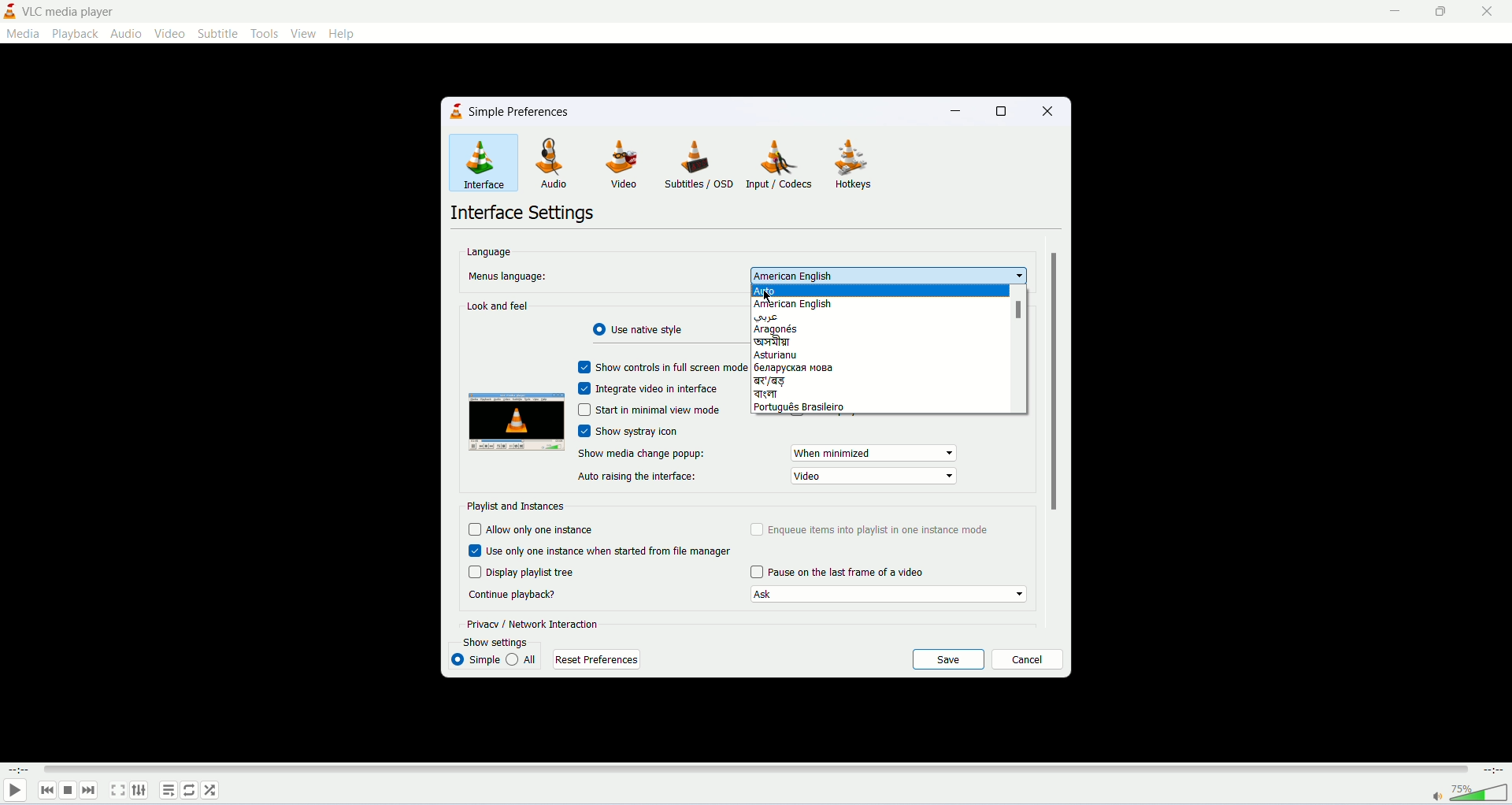 The width and height of the screenshot is (1512, 805). What do you see at coordinates (128, 35) in the screenshot?
I see `audio` at bounding box center [128, 35].